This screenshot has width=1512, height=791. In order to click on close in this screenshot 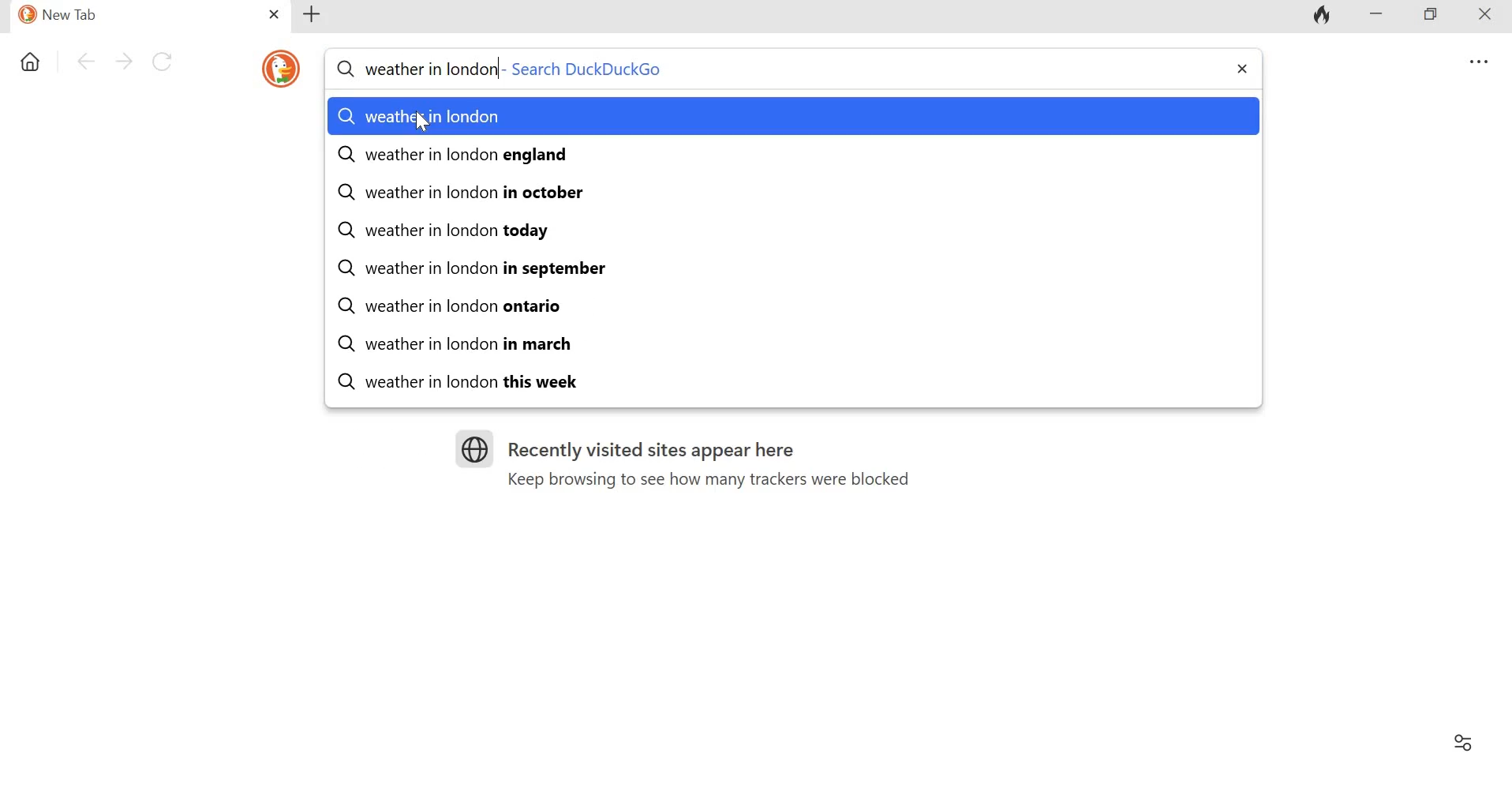, I will do `click(1242, 69)`.